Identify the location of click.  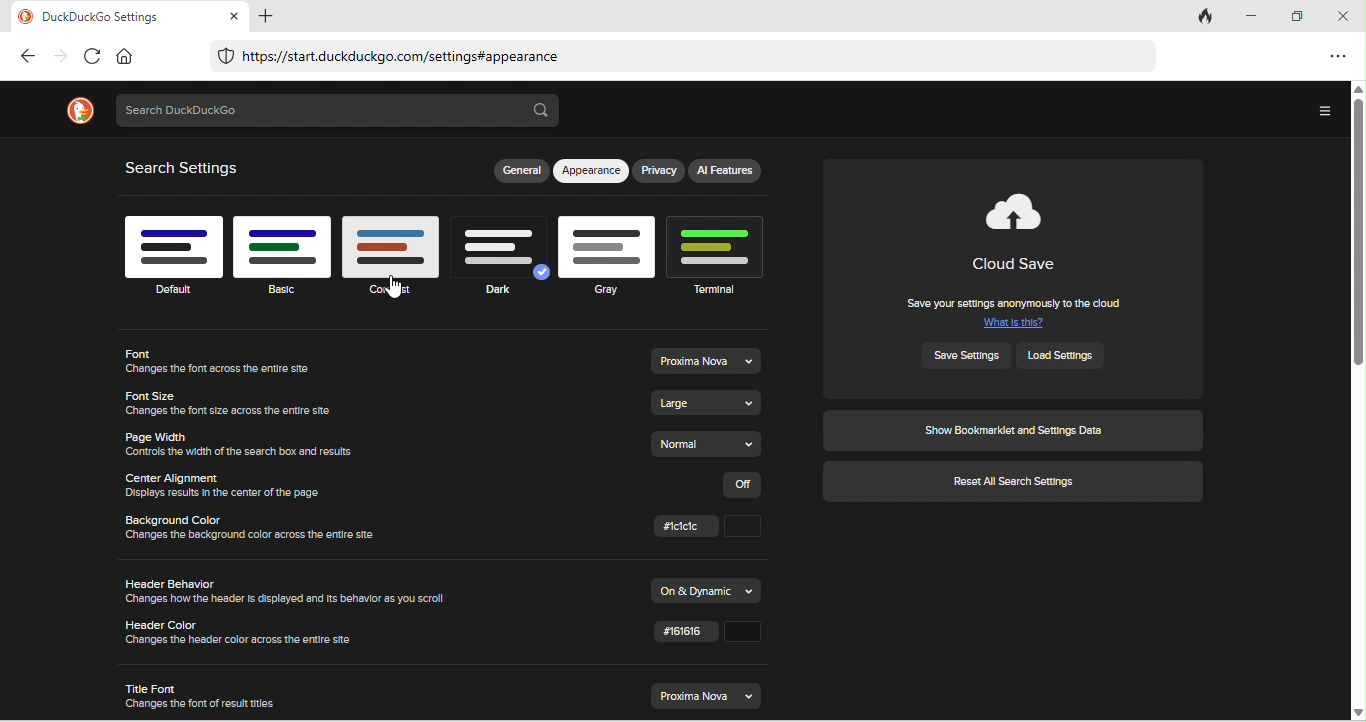
(710, 527).